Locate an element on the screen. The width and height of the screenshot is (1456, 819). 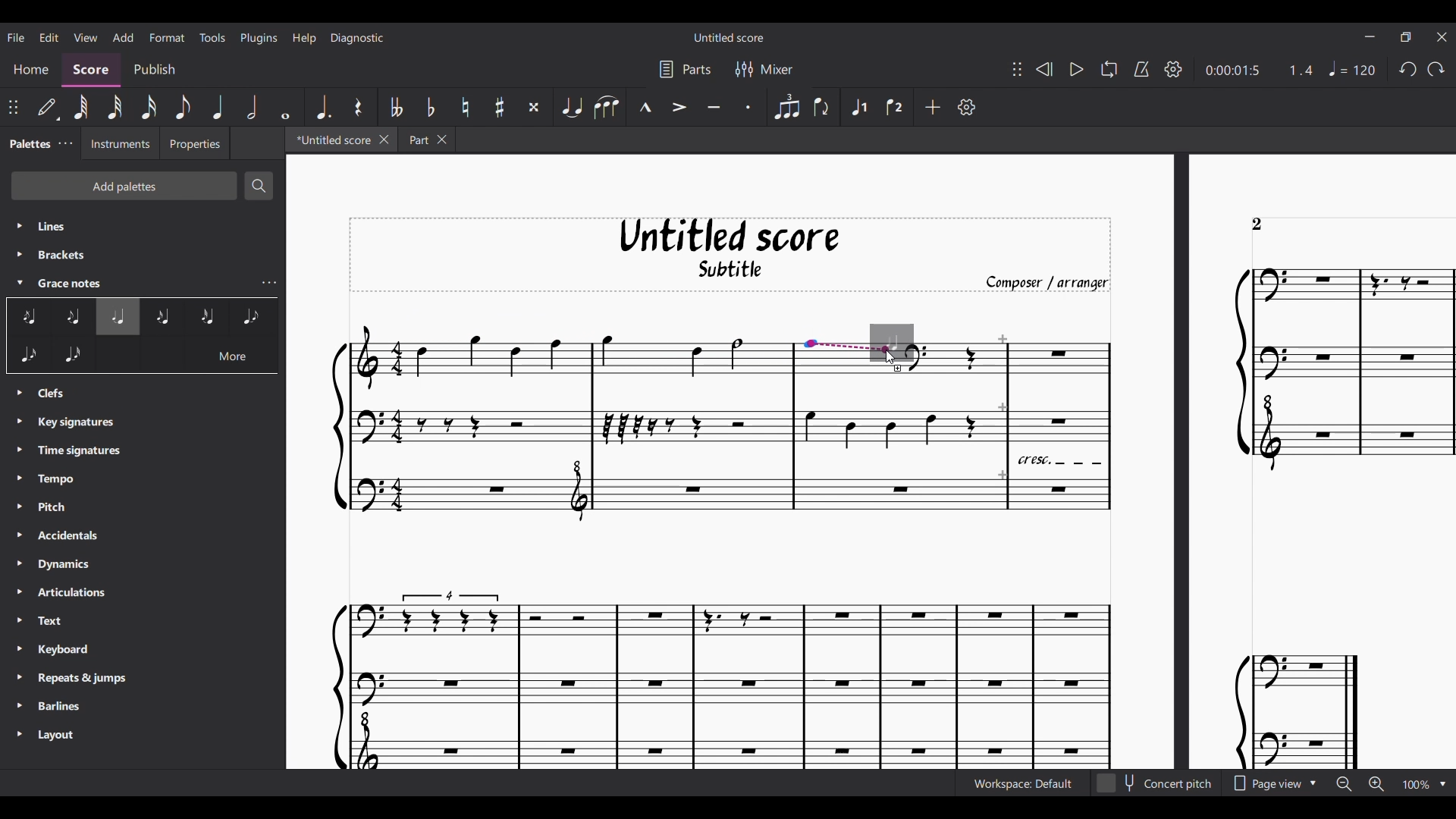
Indicates an addition is going to be made to the note is located at coordinates (899, 369).